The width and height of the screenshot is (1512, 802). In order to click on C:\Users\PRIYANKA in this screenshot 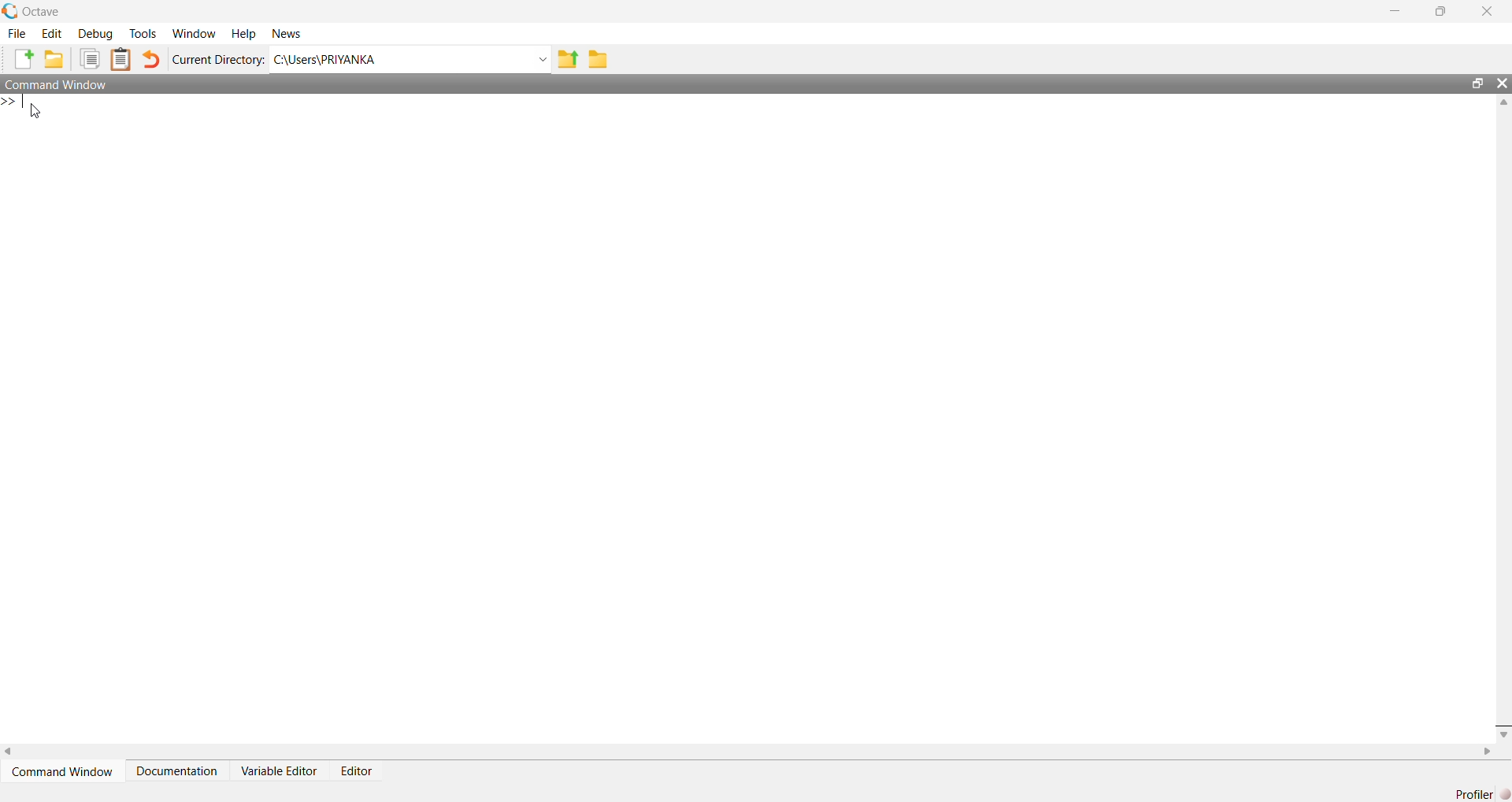, I will do `click(326, 60)`.